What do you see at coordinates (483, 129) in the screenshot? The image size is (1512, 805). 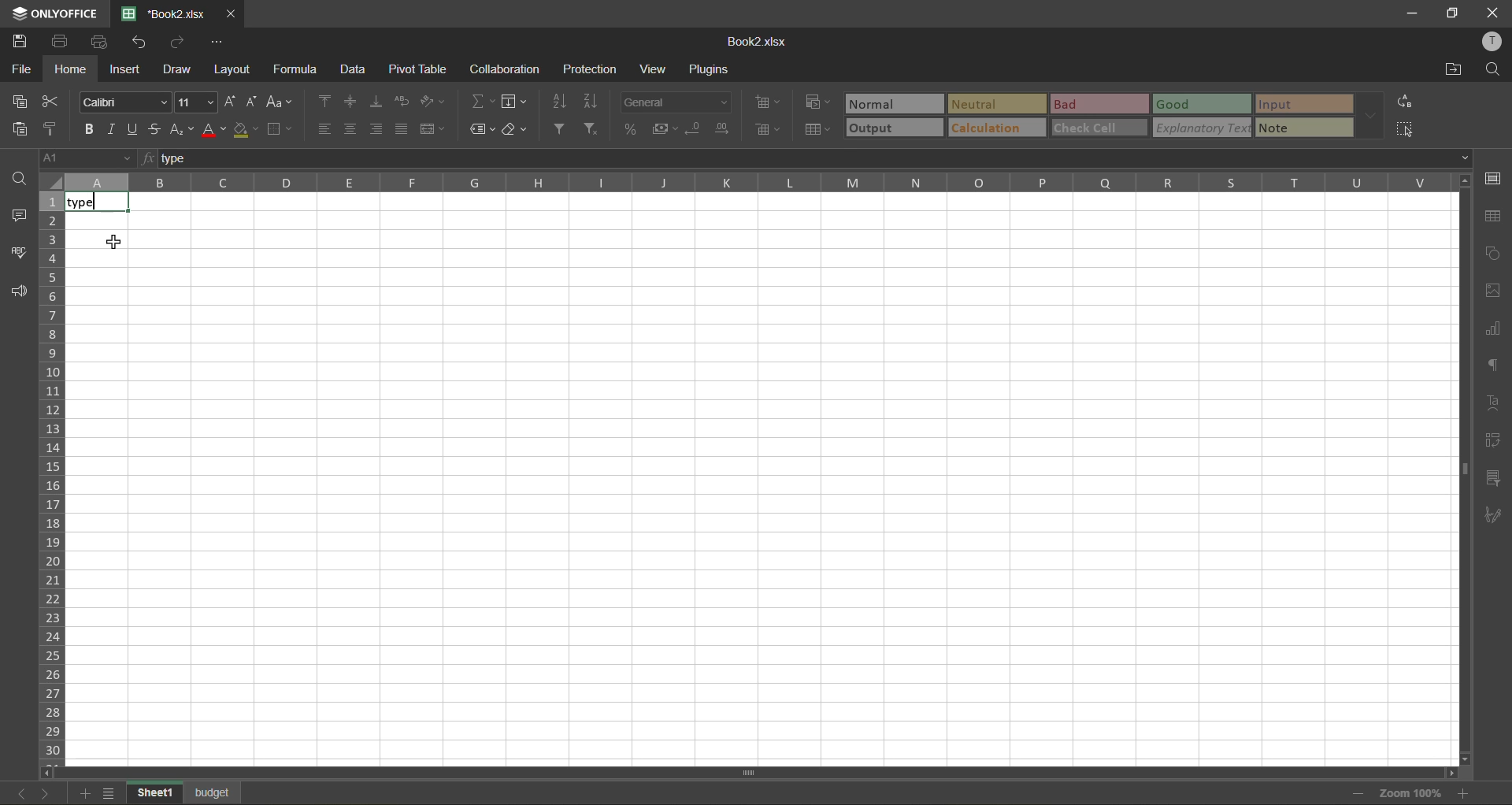 I see `named ranges` at bounding box center [483, 129].